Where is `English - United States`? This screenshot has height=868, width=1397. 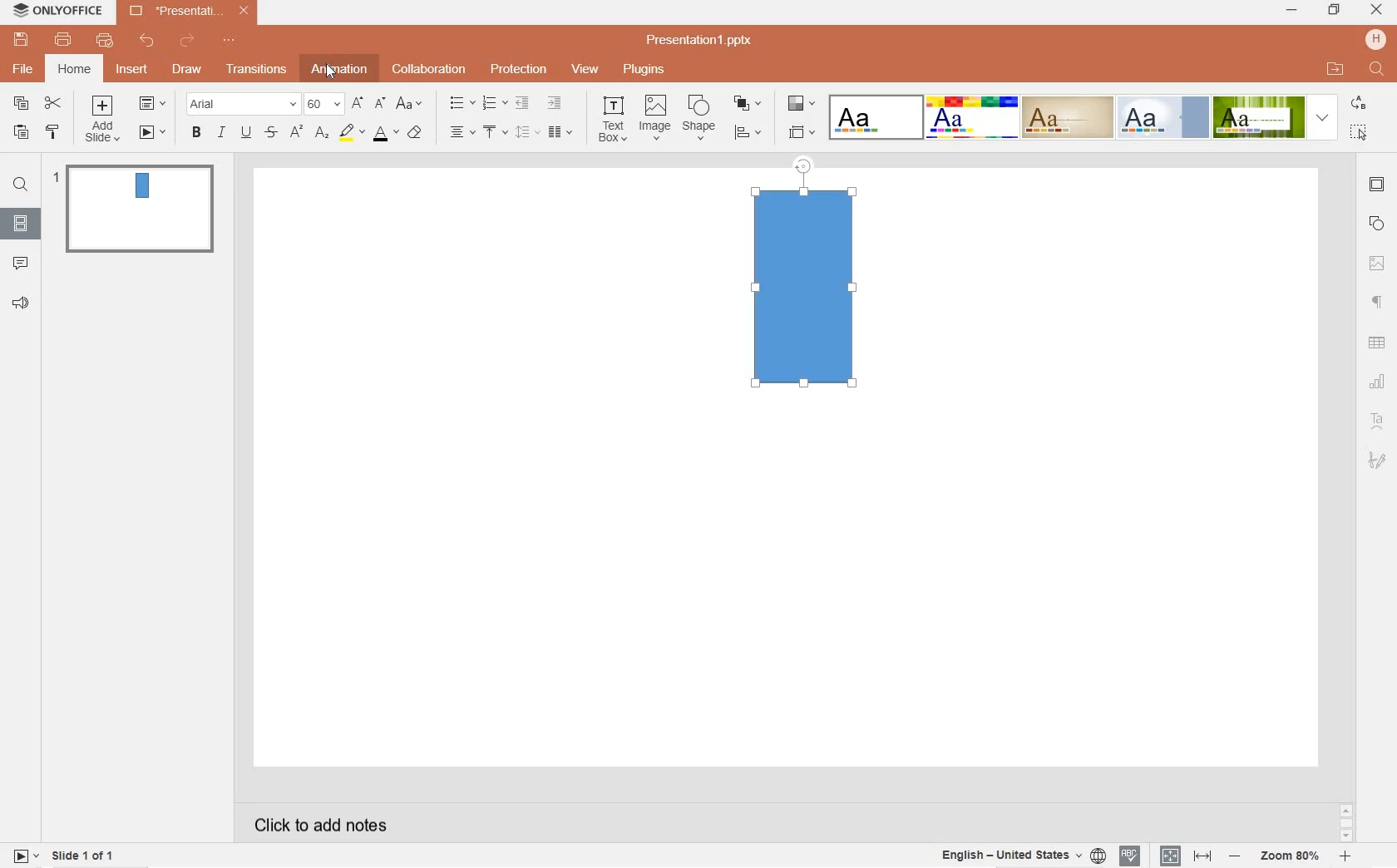
English - United States is located at coordinates (1021, 856).